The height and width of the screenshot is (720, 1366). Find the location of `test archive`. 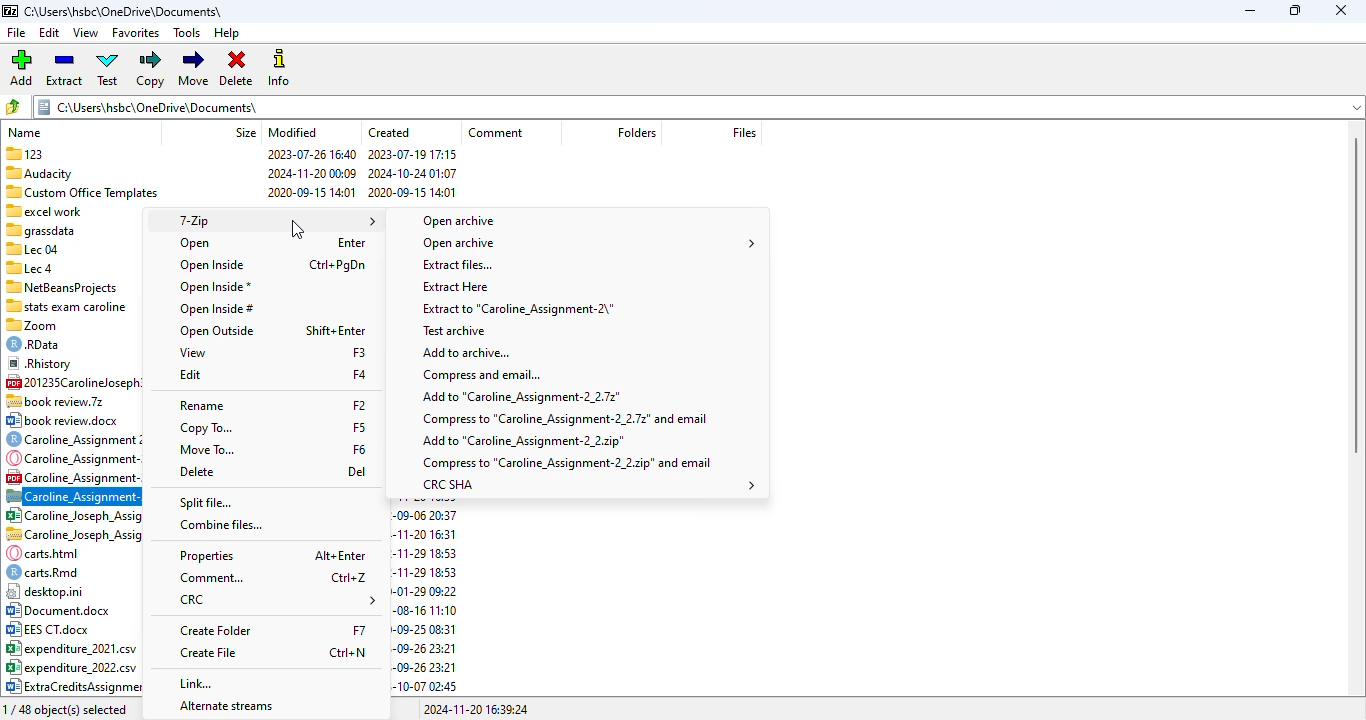

test archive is located at coordinates (456, 331).